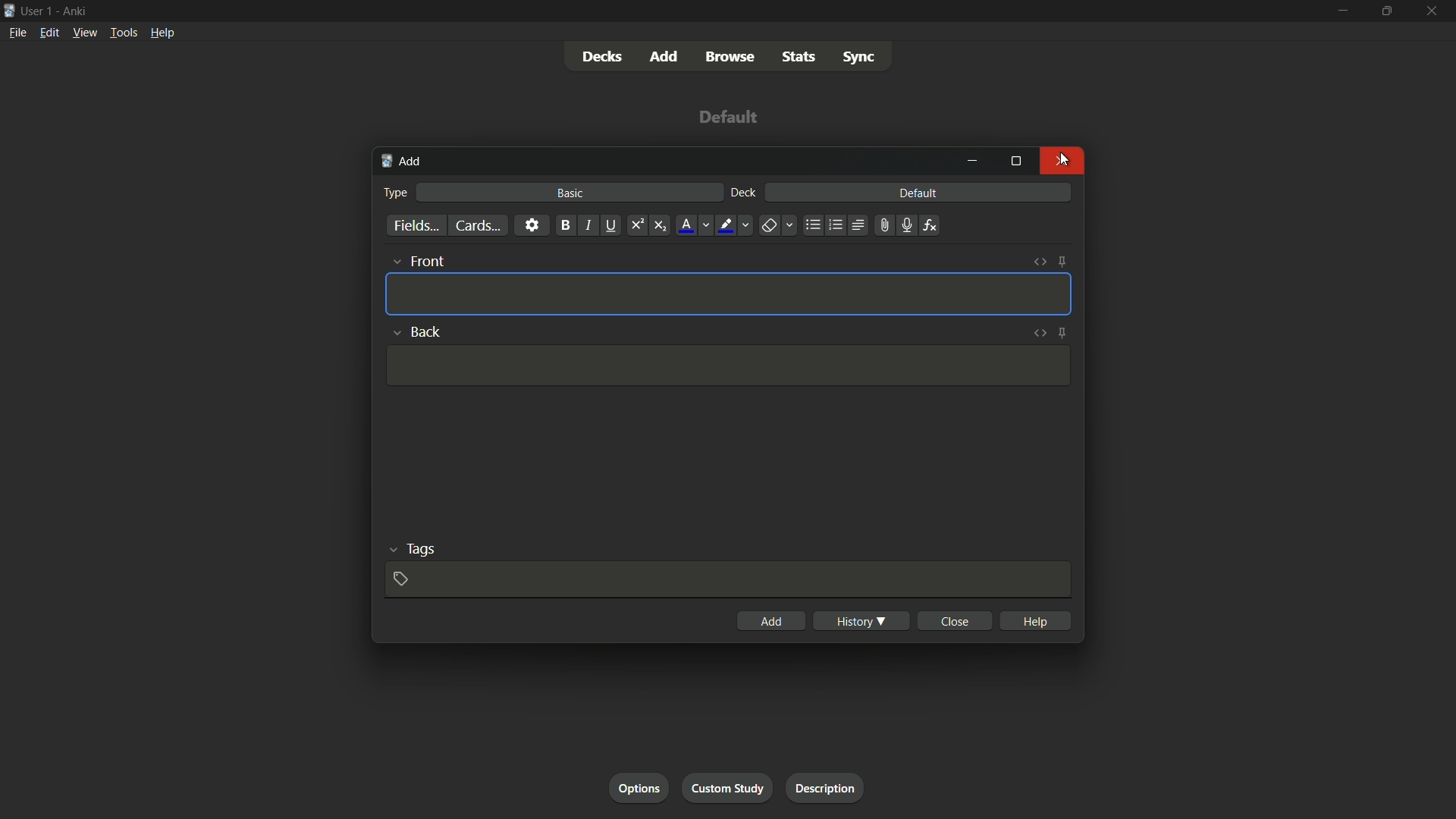  I want to click on ordered list, so click(835, 224).